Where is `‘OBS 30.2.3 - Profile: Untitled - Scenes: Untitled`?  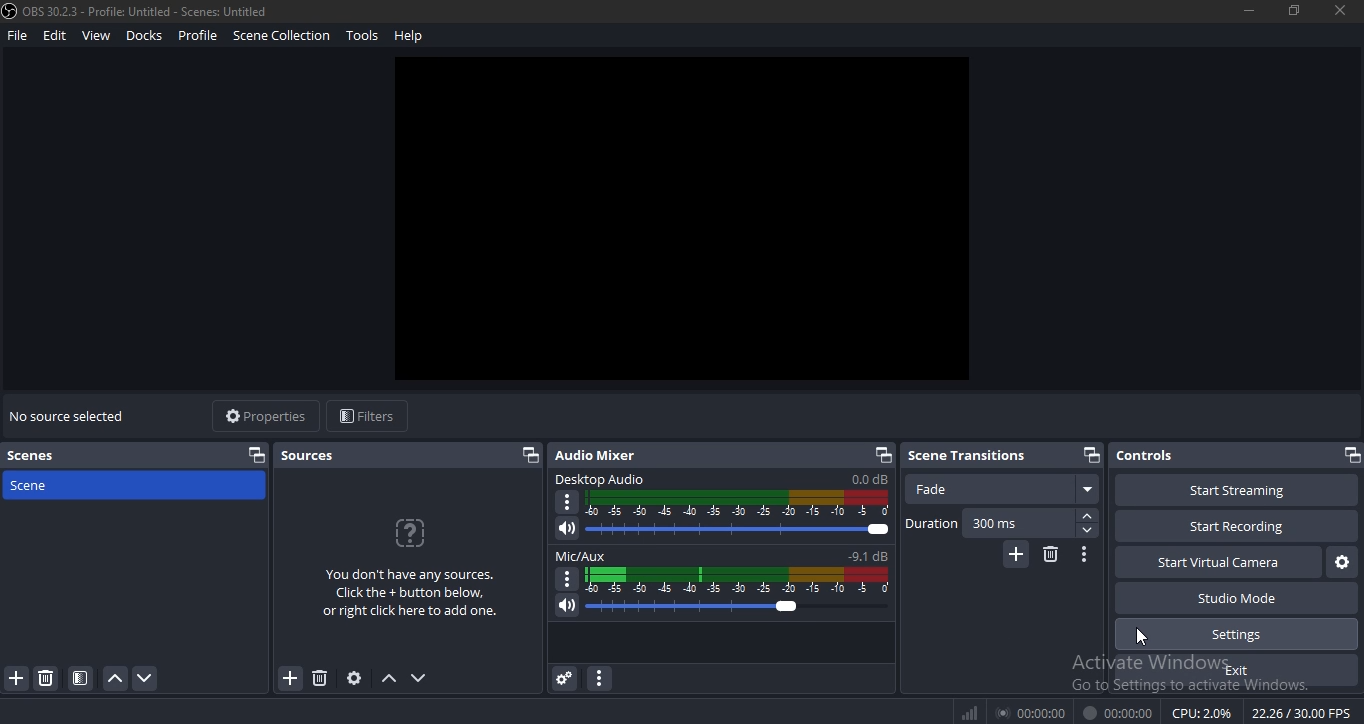 ‘OBS 30.2.3 - Profile: Untitled - Scenes: Untitled is located at coordinates (137, 11).